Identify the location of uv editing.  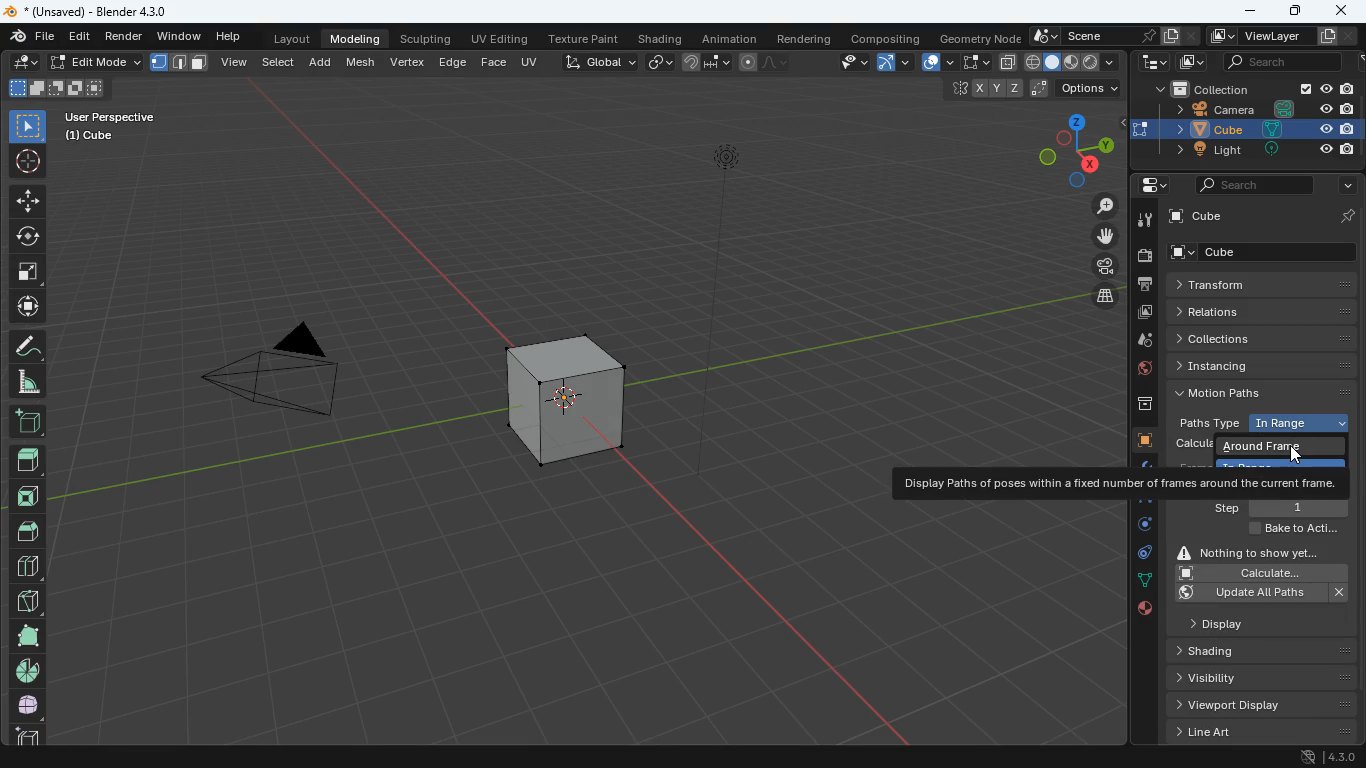
(503, 40).